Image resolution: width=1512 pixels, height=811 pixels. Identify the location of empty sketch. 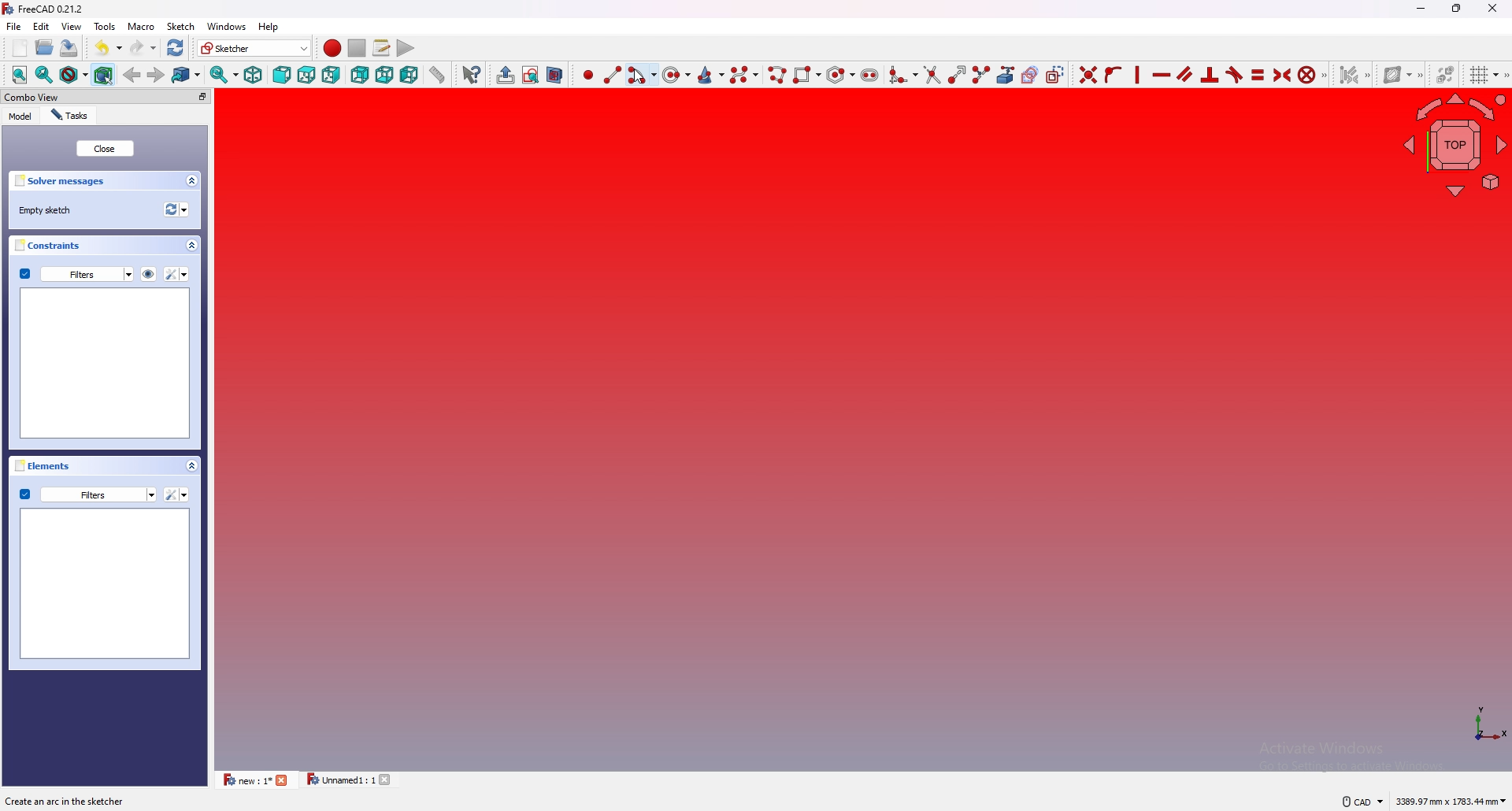
(49, 210).